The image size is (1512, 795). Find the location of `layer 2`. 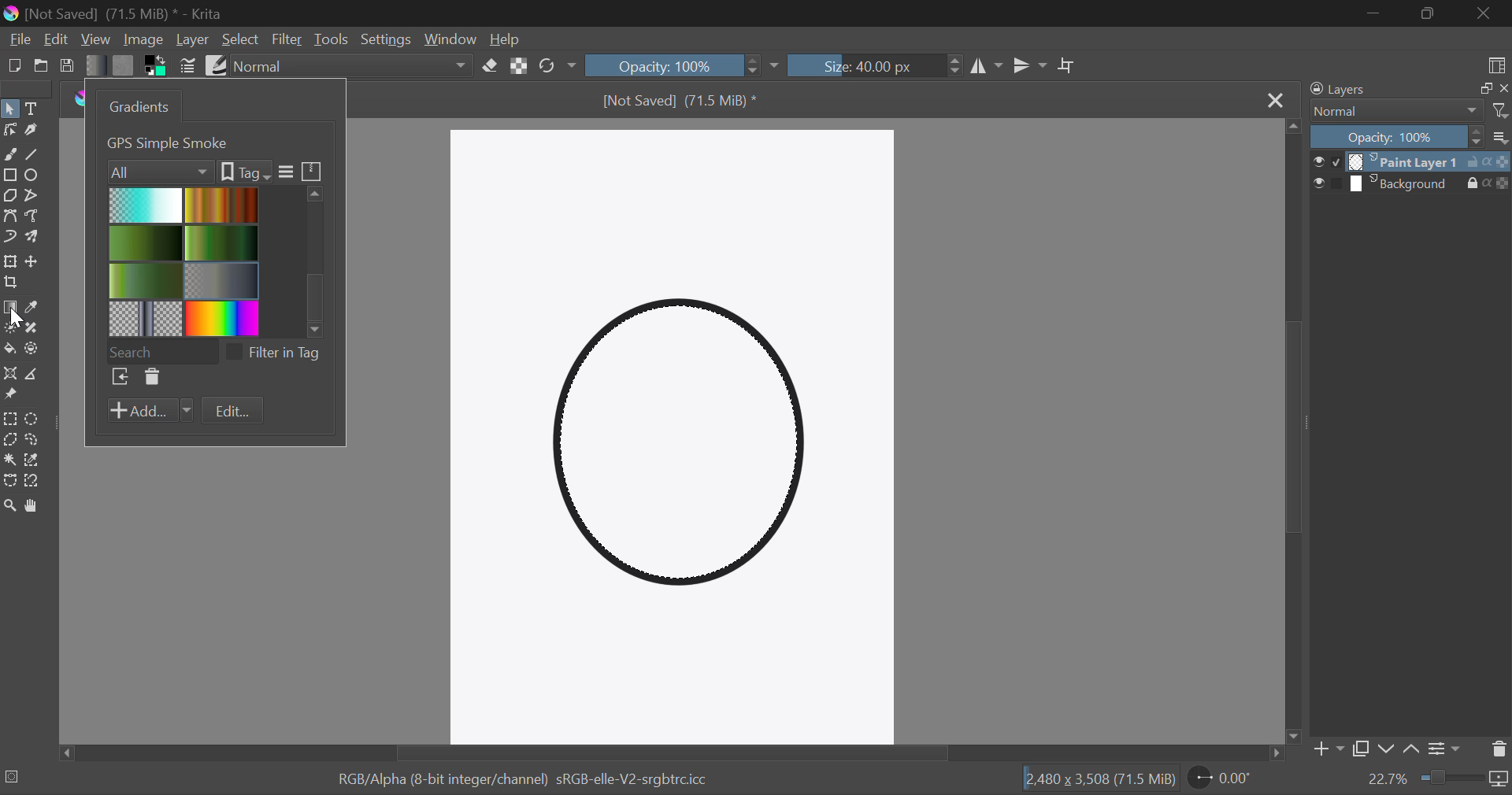

layer 2 is located at coordinates (1405, 184).